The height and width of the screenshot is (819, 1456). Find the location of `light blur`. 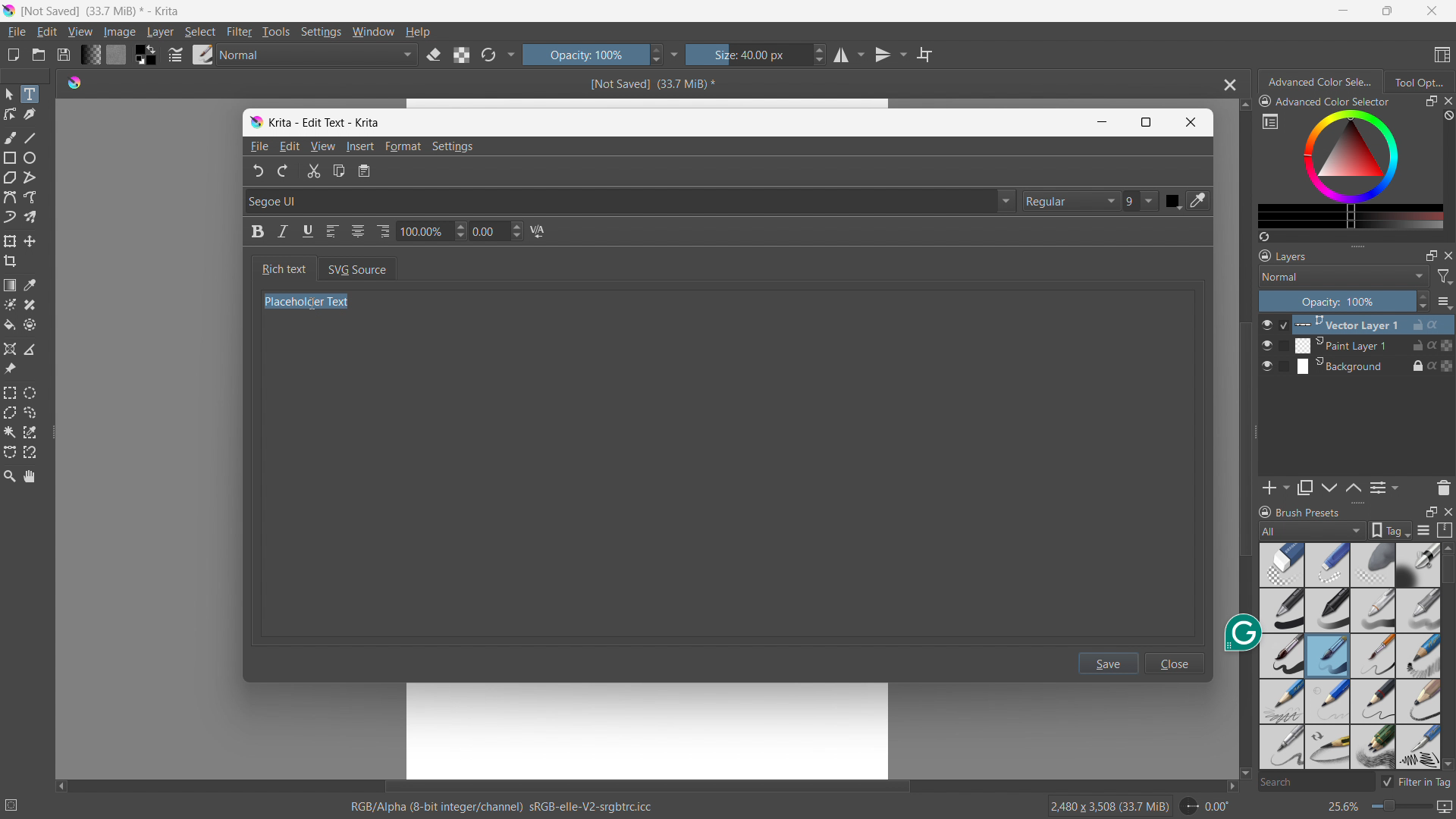

light blur is located at coordinates (1327, 565).